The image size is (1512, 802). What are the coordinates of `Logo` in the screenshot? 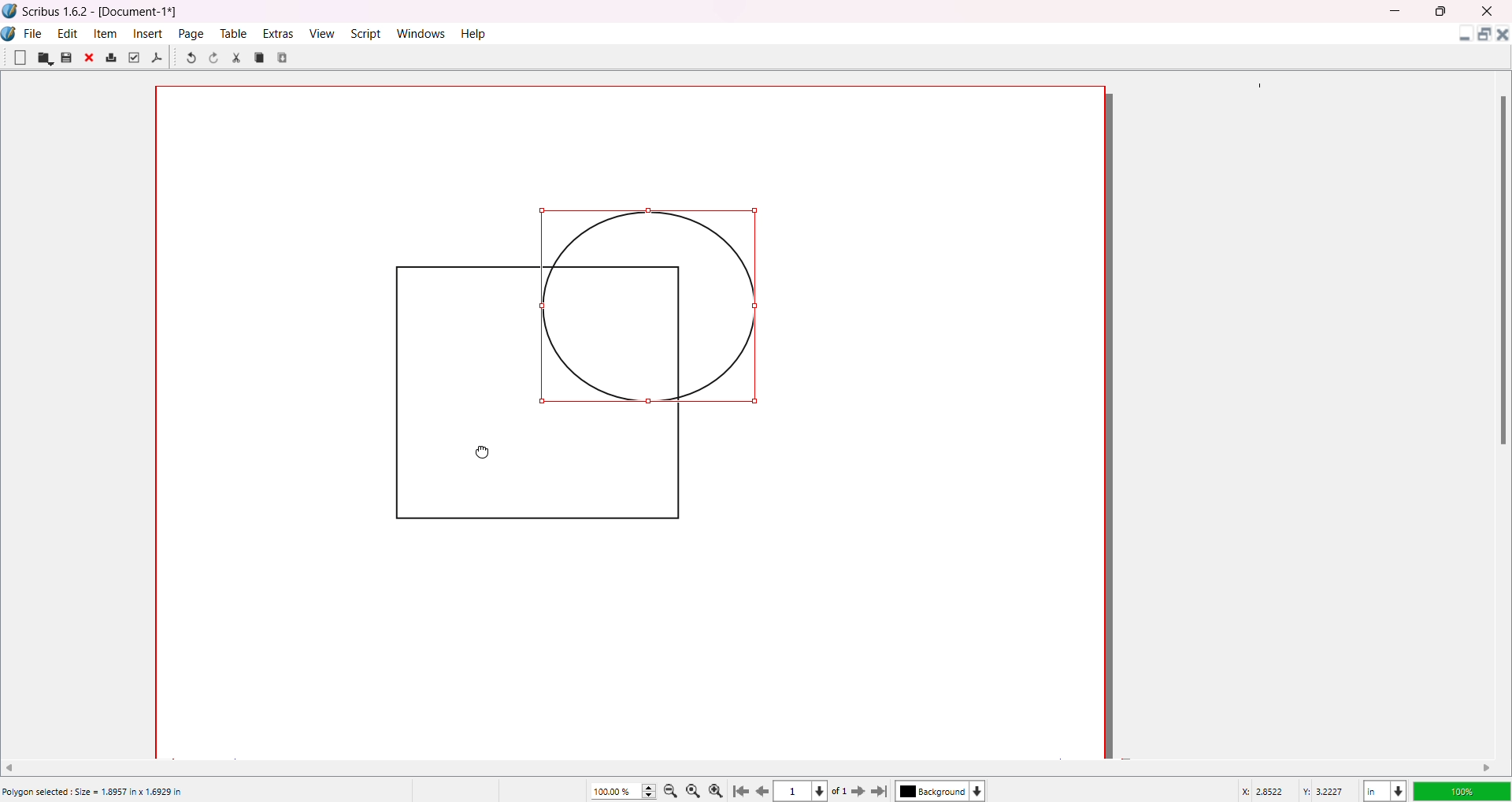 It's located at (11, 34).